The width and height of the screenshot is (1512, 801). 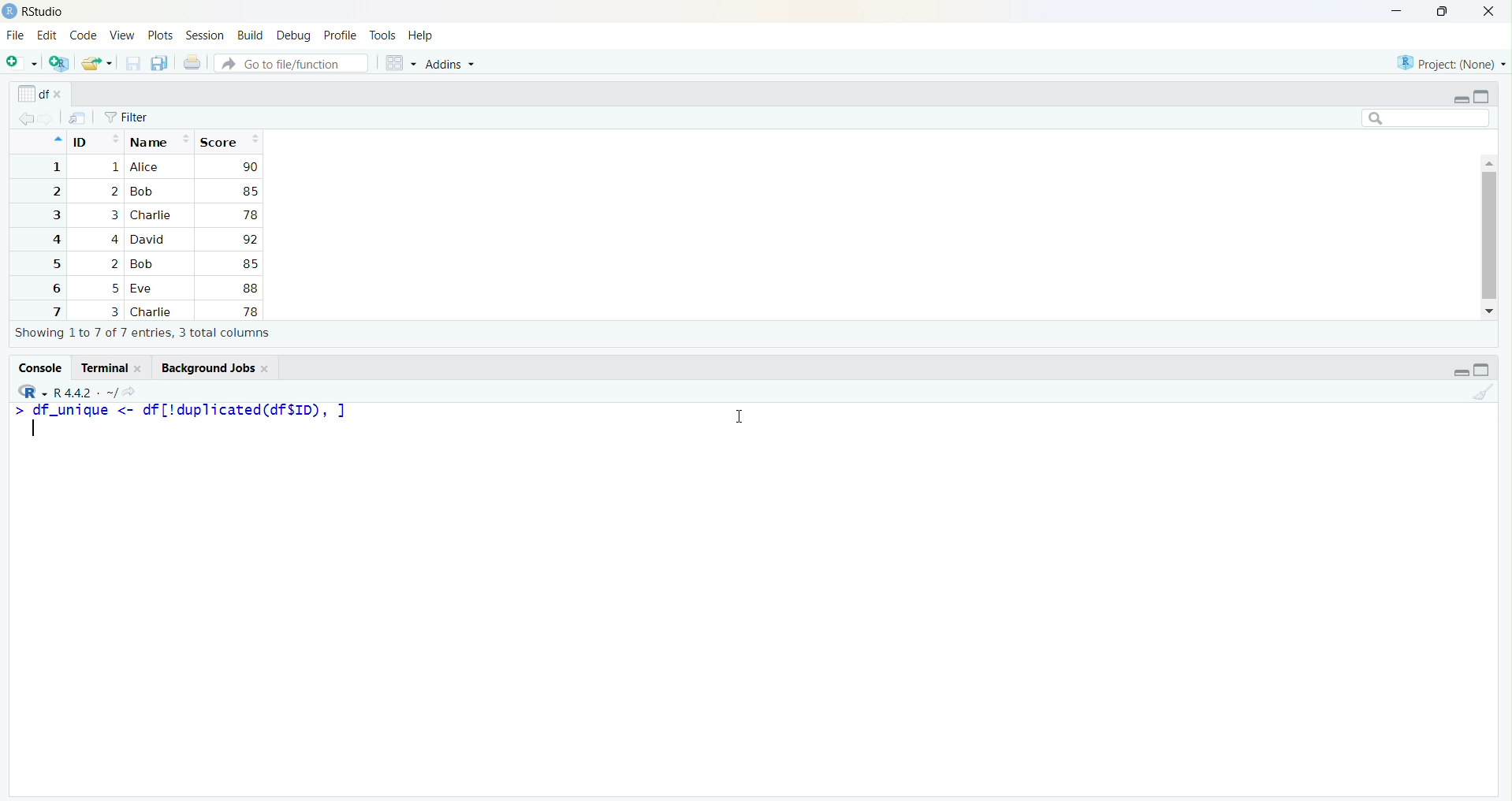 I want to click on new file, so click(x=23, y=62).